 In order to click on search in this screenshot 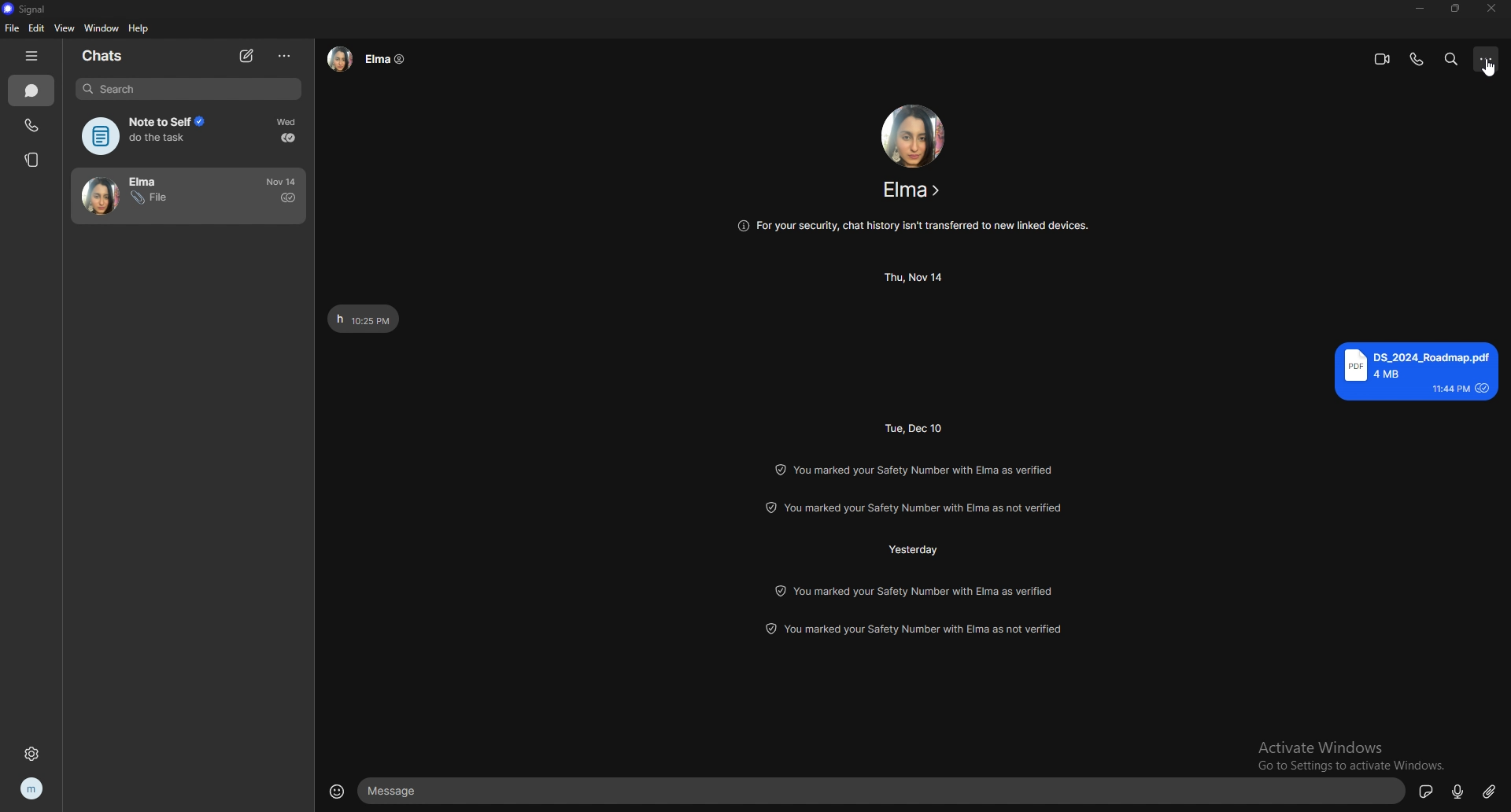, I will do `click(189, 89)`.